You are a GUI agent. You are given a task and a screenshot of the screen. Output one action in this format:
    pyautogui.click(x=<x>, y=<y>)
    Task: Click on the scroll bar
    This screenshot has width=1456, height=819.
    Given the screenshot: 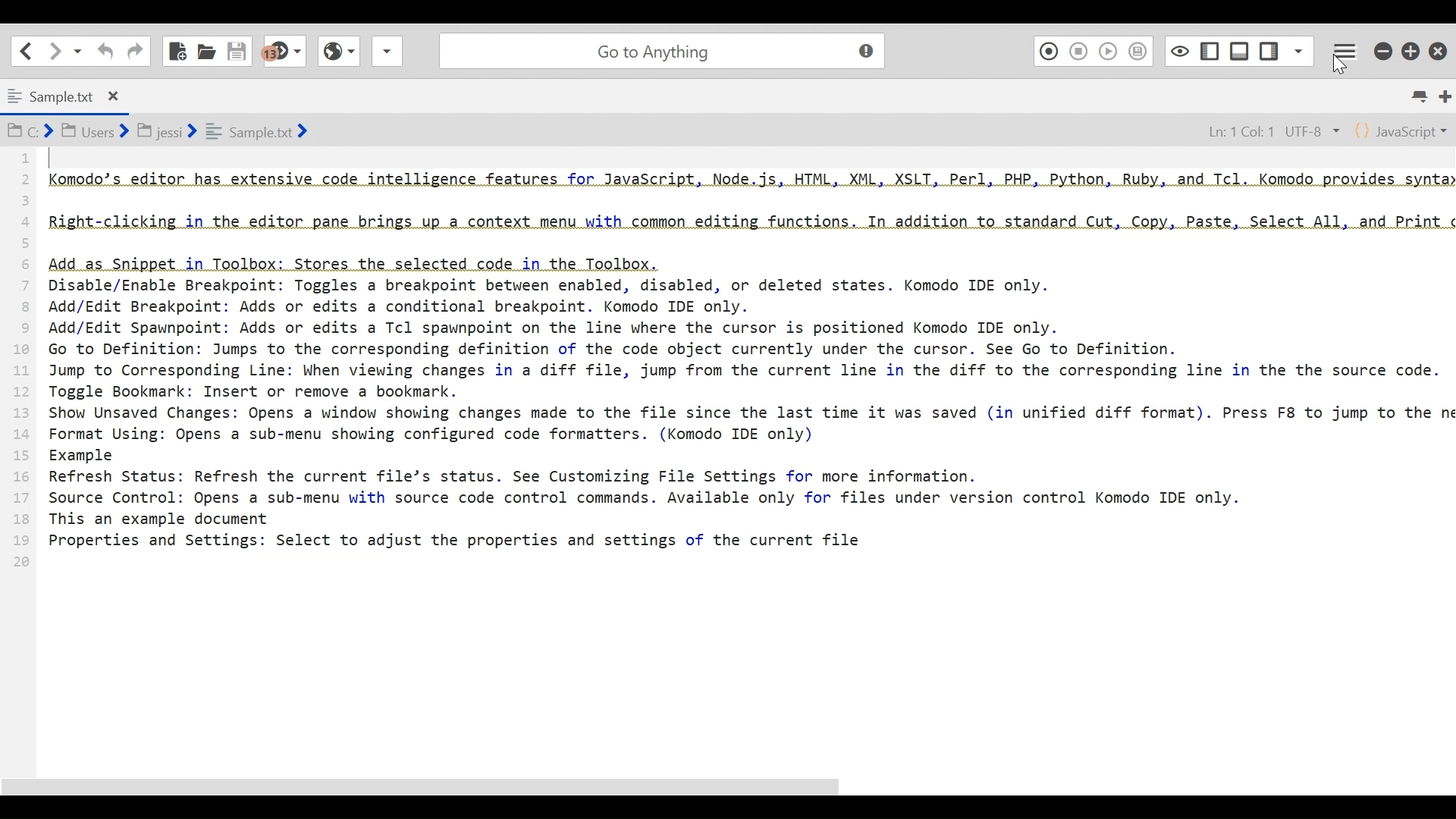 What is the action you would take?
    pyautogui.click(x=431, y=787)
    